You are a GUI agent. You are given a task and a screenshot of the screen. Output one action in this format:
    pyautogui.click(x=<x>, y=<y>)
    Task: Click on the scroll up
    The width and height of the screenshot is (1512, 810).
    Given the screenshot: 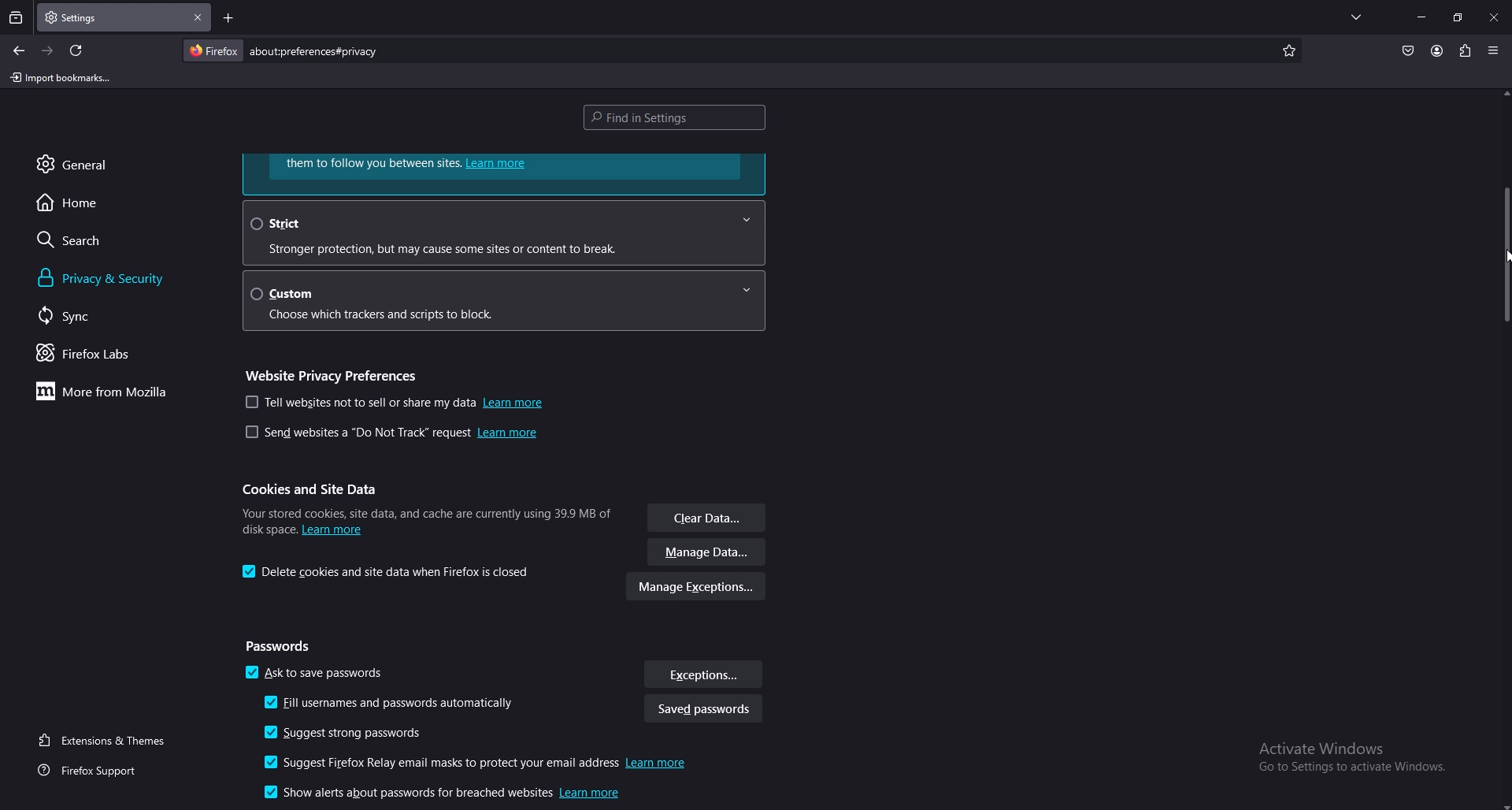 What is the action you would take?
    pyautogui.click(x=1503, y=94)
    